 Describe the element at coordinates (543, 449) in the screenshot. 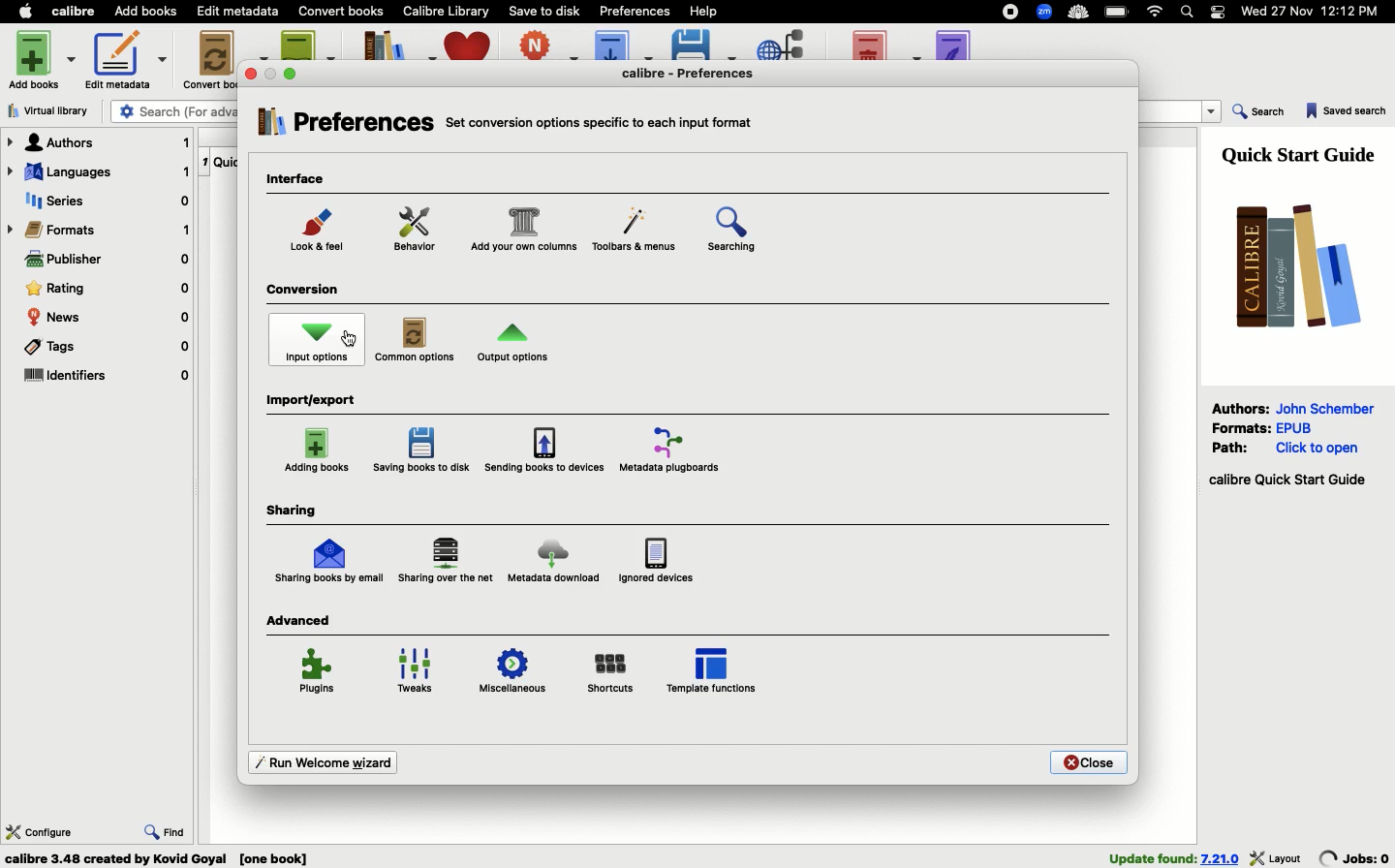

I see `Sending books to devices` at that location.